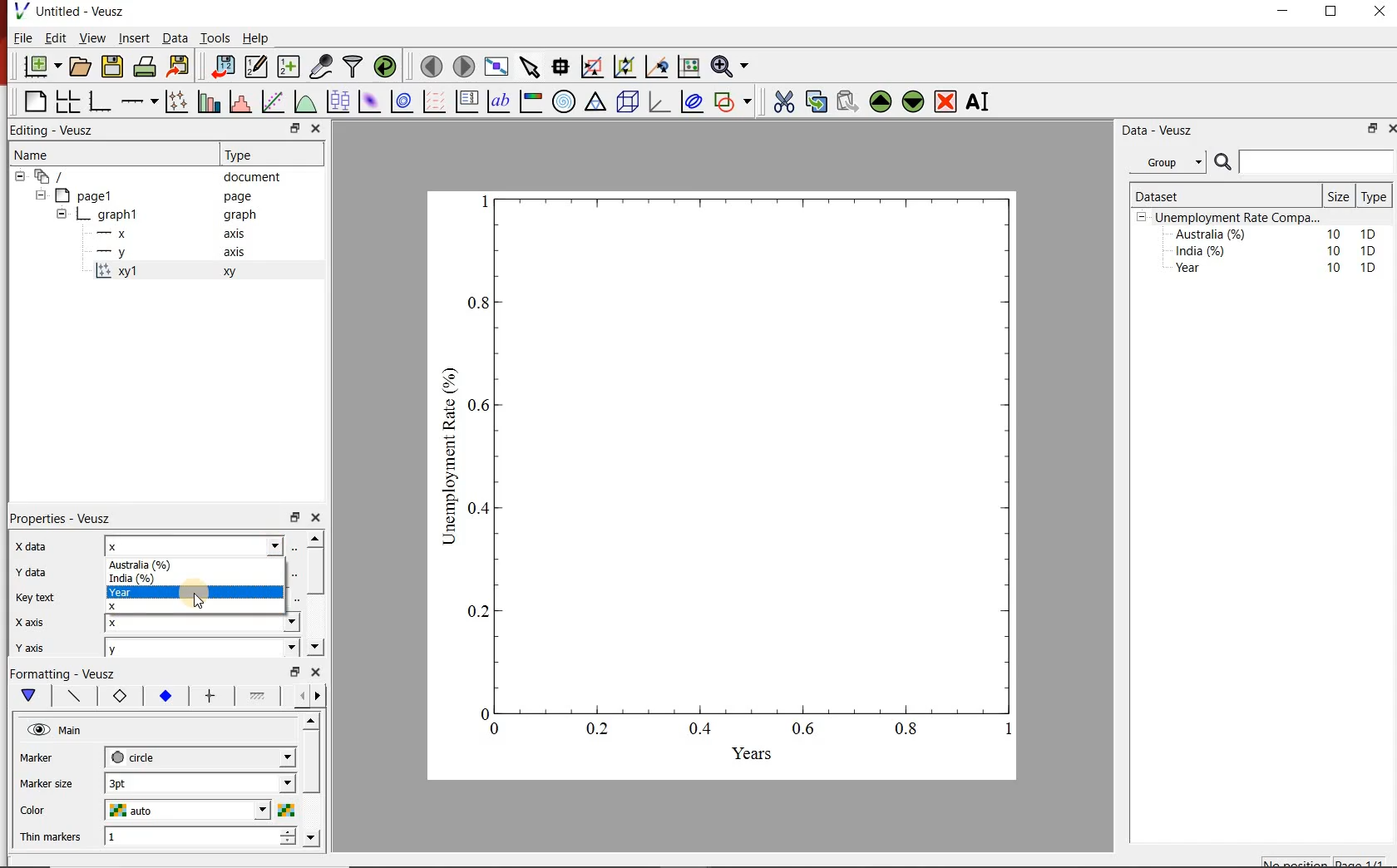 This screenshot has width=1397, height=868. Describe the element at coordinates (180, 65) in the screenshot. I see `export document` at that location.